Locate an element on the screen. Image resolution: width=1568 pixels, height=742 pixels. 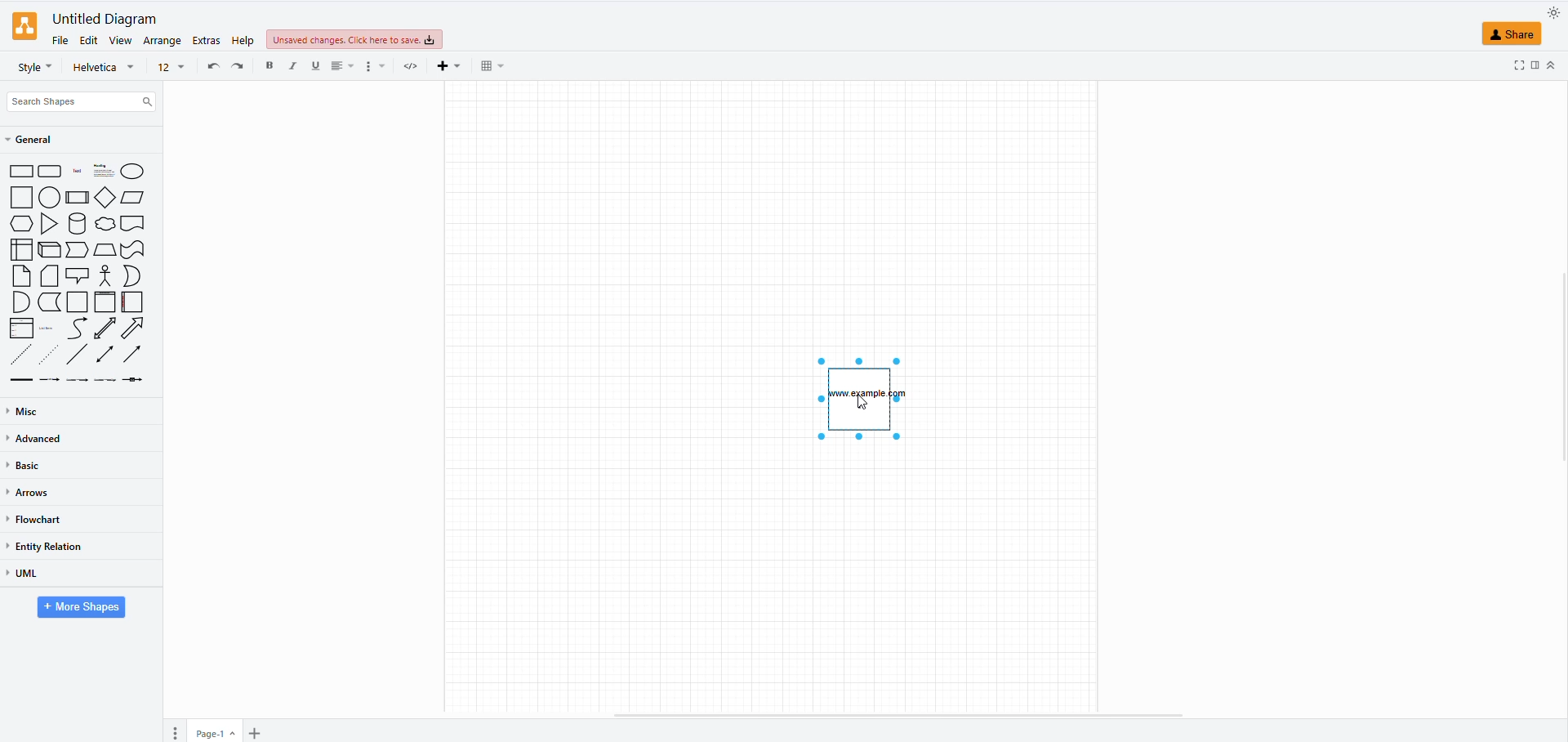
trapezoid is located at coordinates (105, 251).